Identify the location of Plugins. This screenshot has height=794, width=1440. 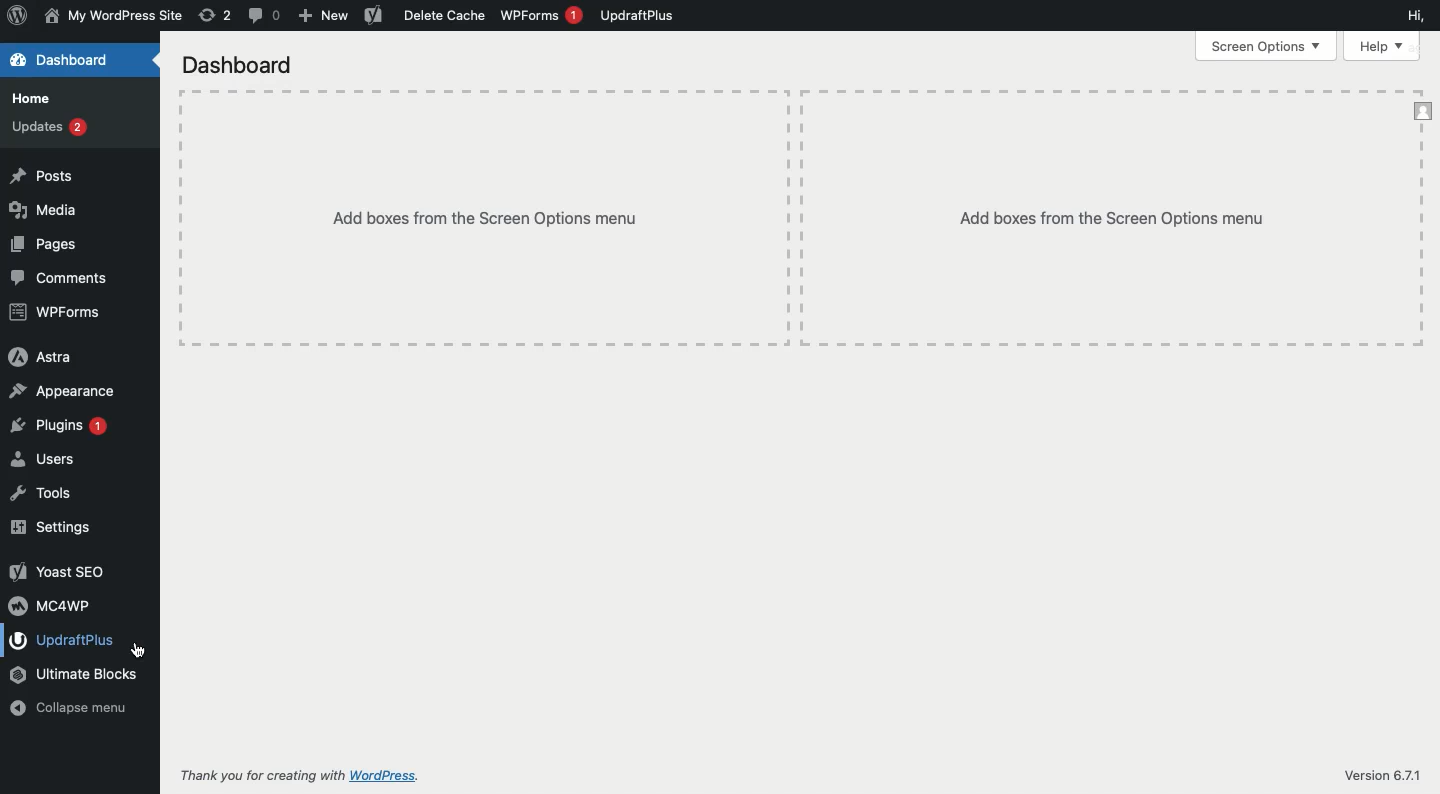
(56, 426).